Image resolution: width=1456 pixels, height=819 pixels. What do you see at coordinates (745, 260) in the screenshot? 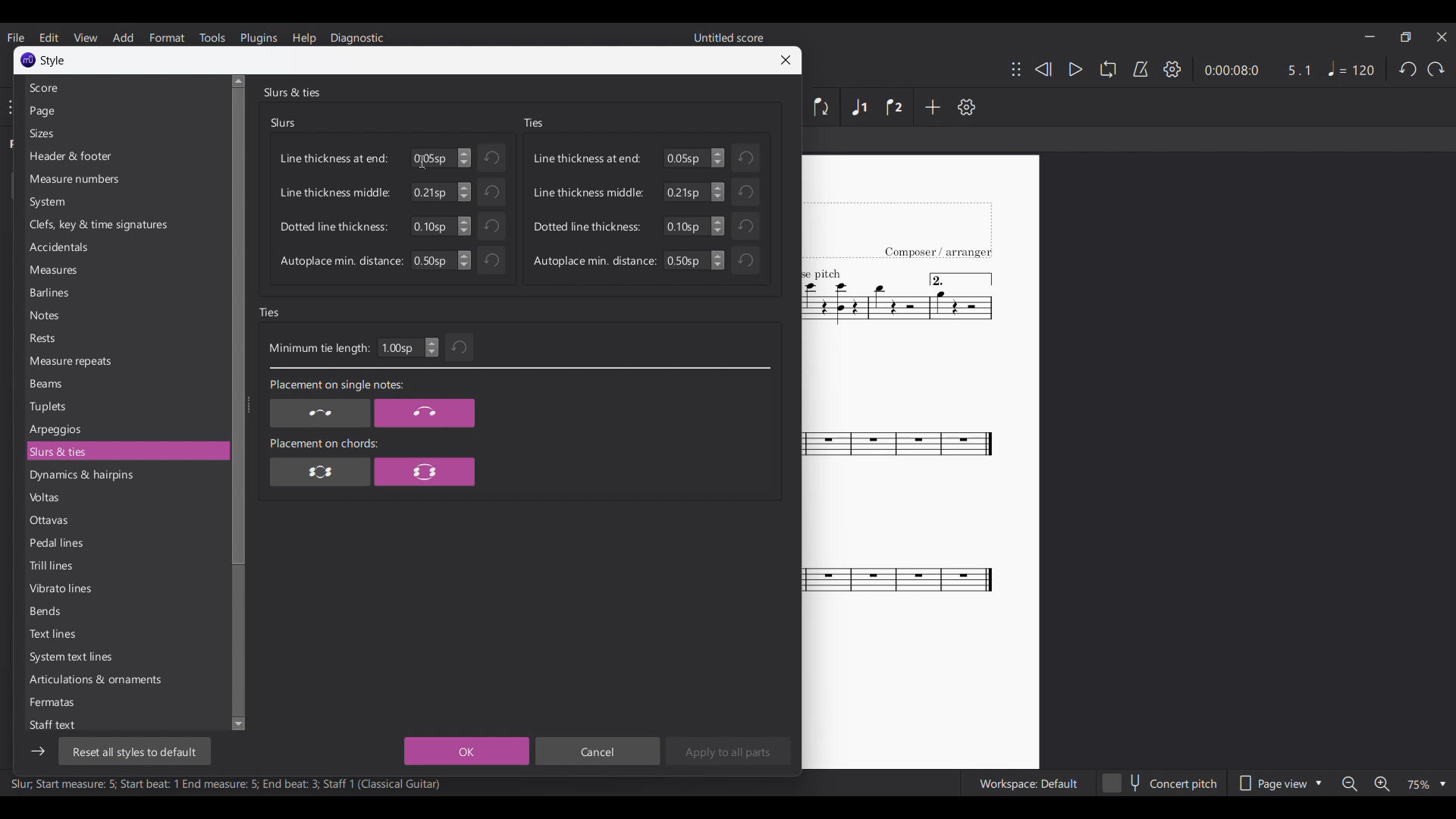
I see `Undo` at bounding box center [745, 260].